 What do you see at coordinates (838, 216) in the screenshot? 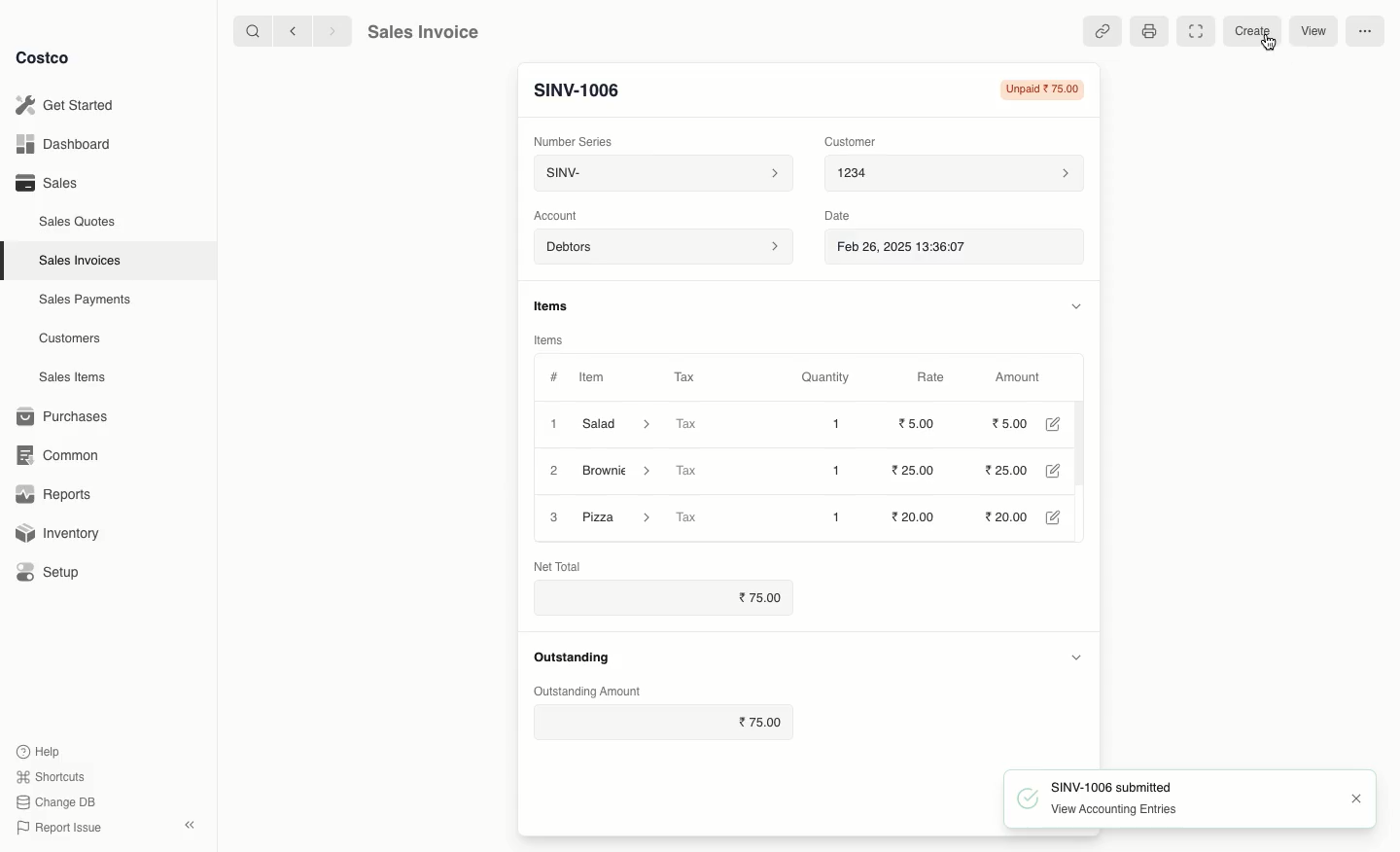
I see `Date` at bounding box center [838, 216].